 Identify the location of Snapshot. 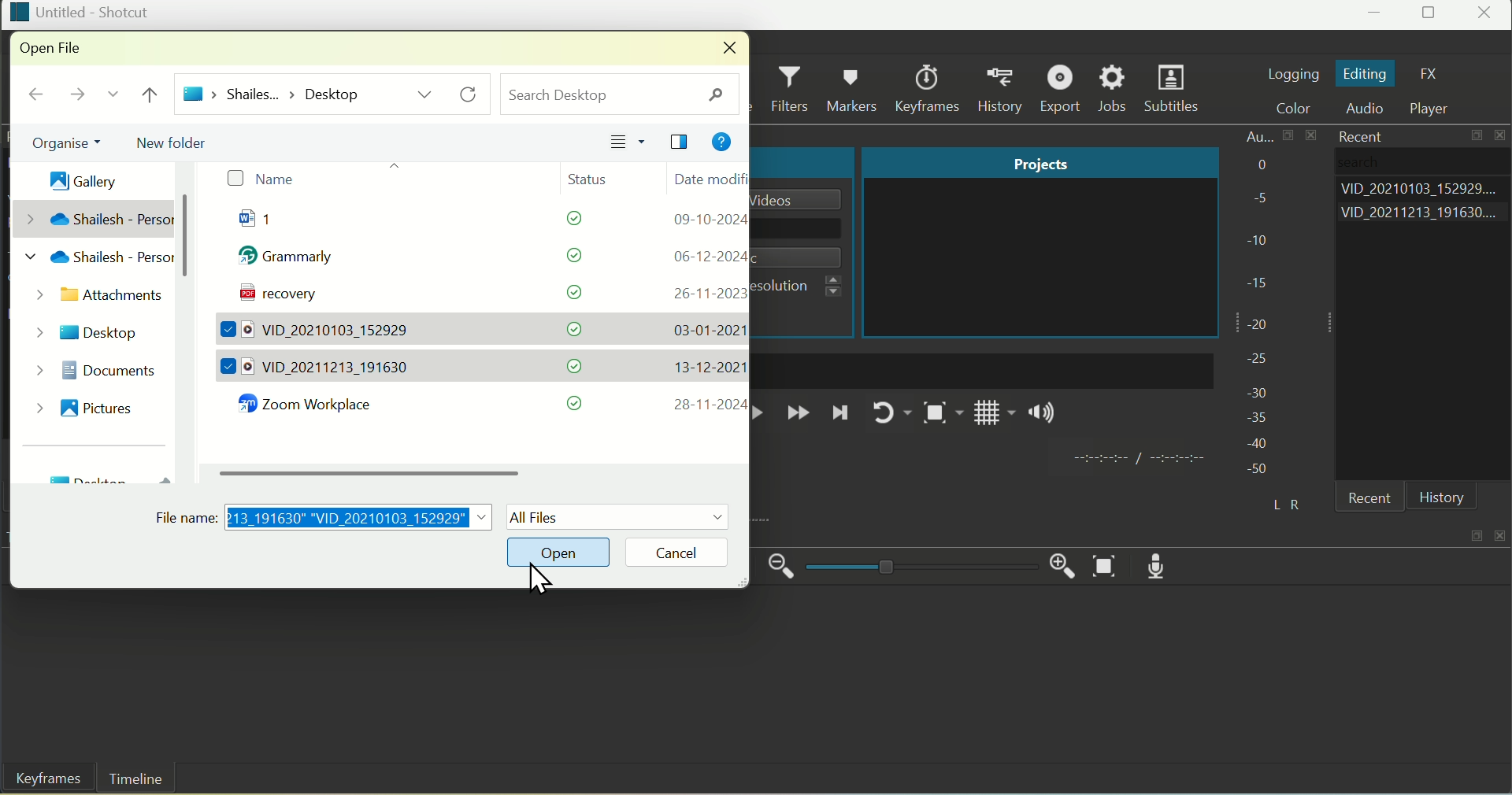
(940, 416).